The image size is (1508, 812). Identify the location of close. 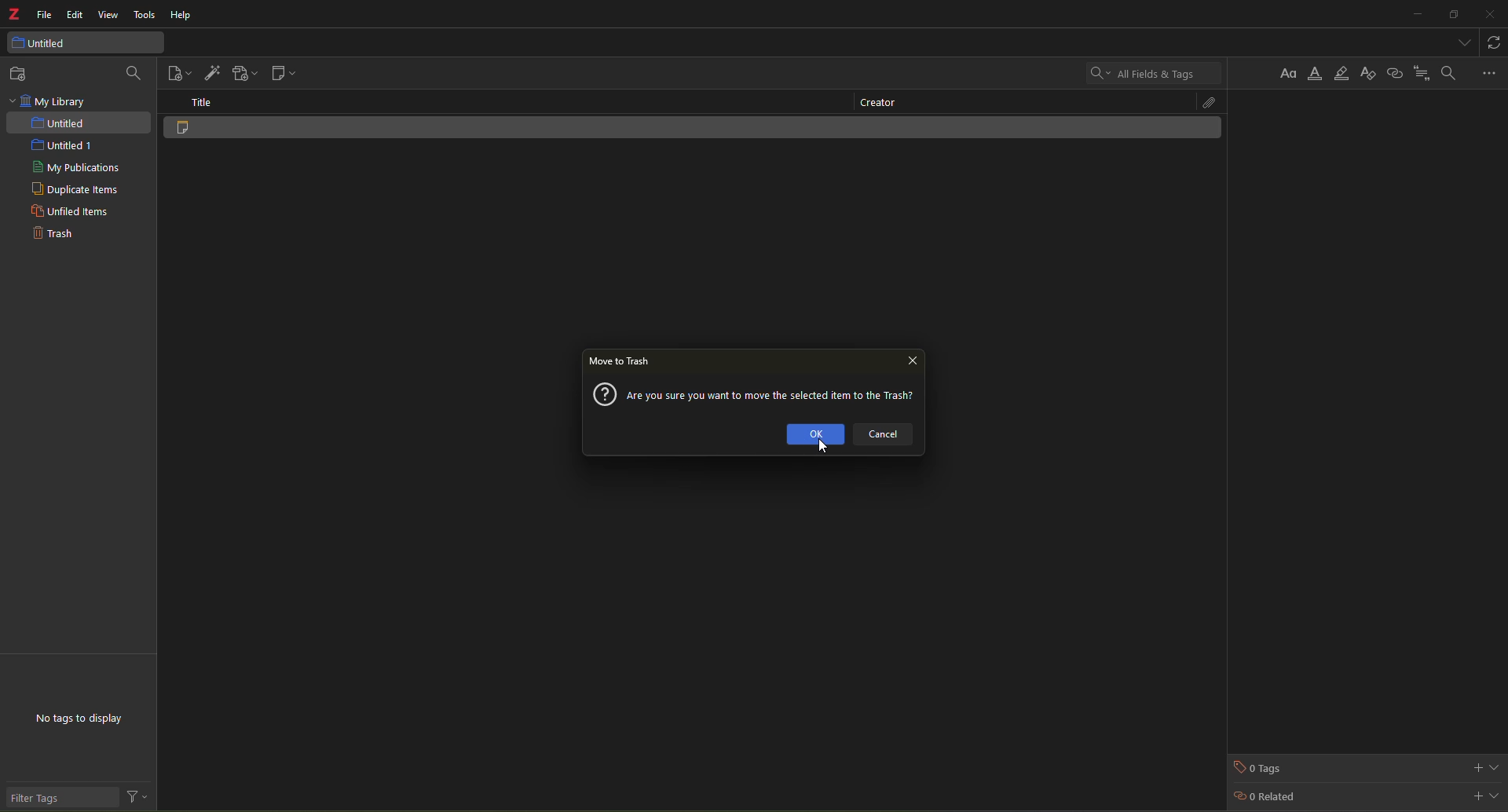
(1490, 14).